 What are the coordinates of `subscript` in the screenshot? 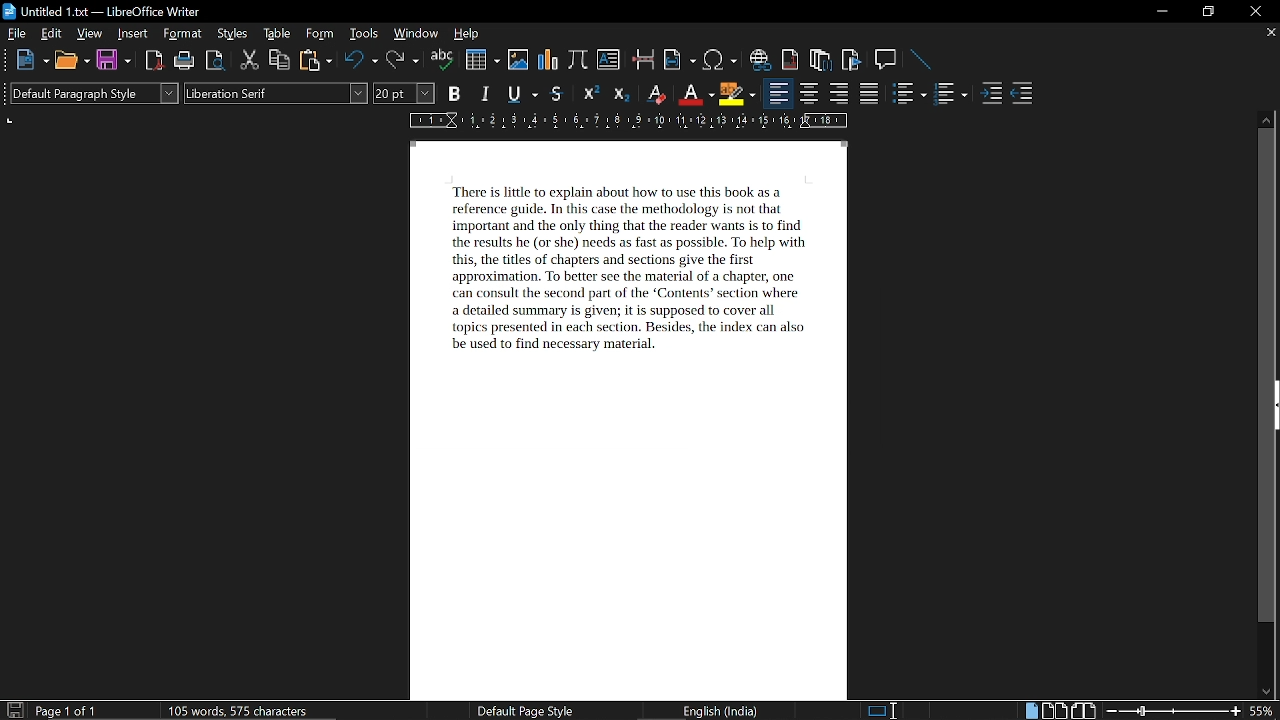 It's located at (620, 93).